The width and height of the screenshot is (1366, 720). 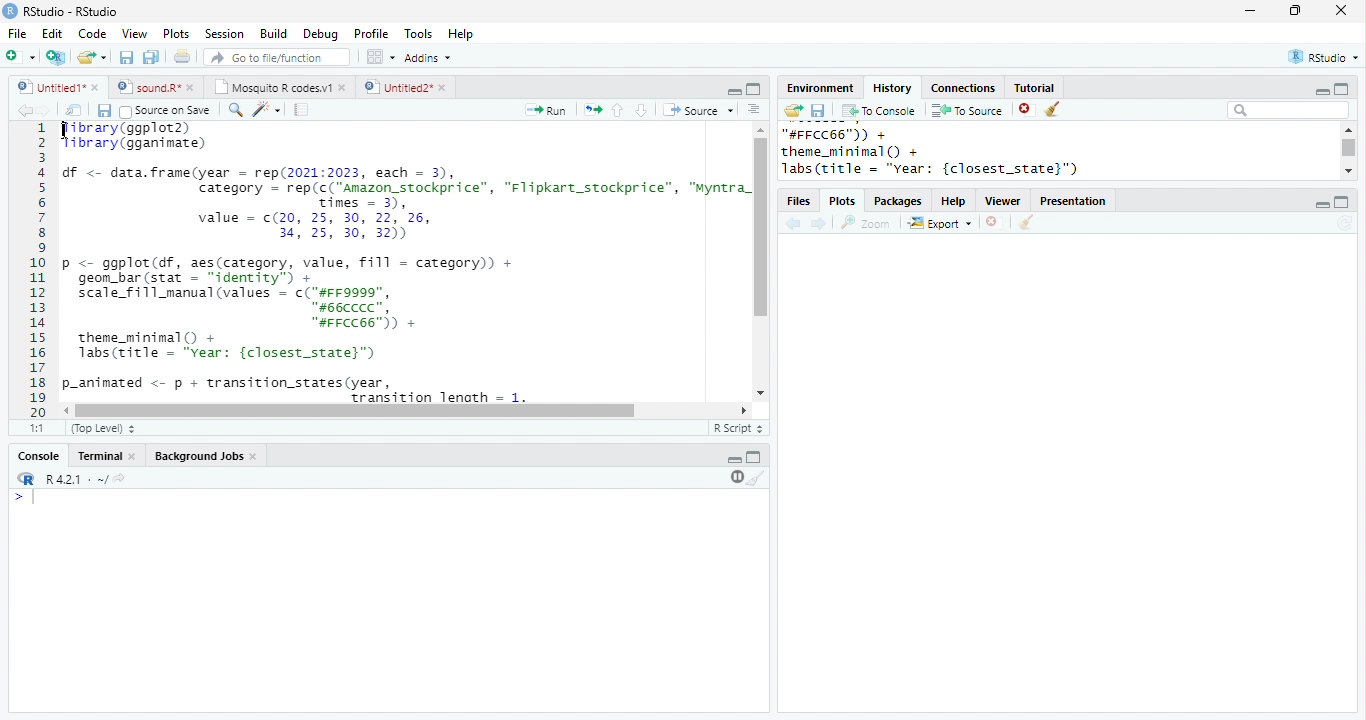 I want to click on scroll down, so click(x=1347, y=171).